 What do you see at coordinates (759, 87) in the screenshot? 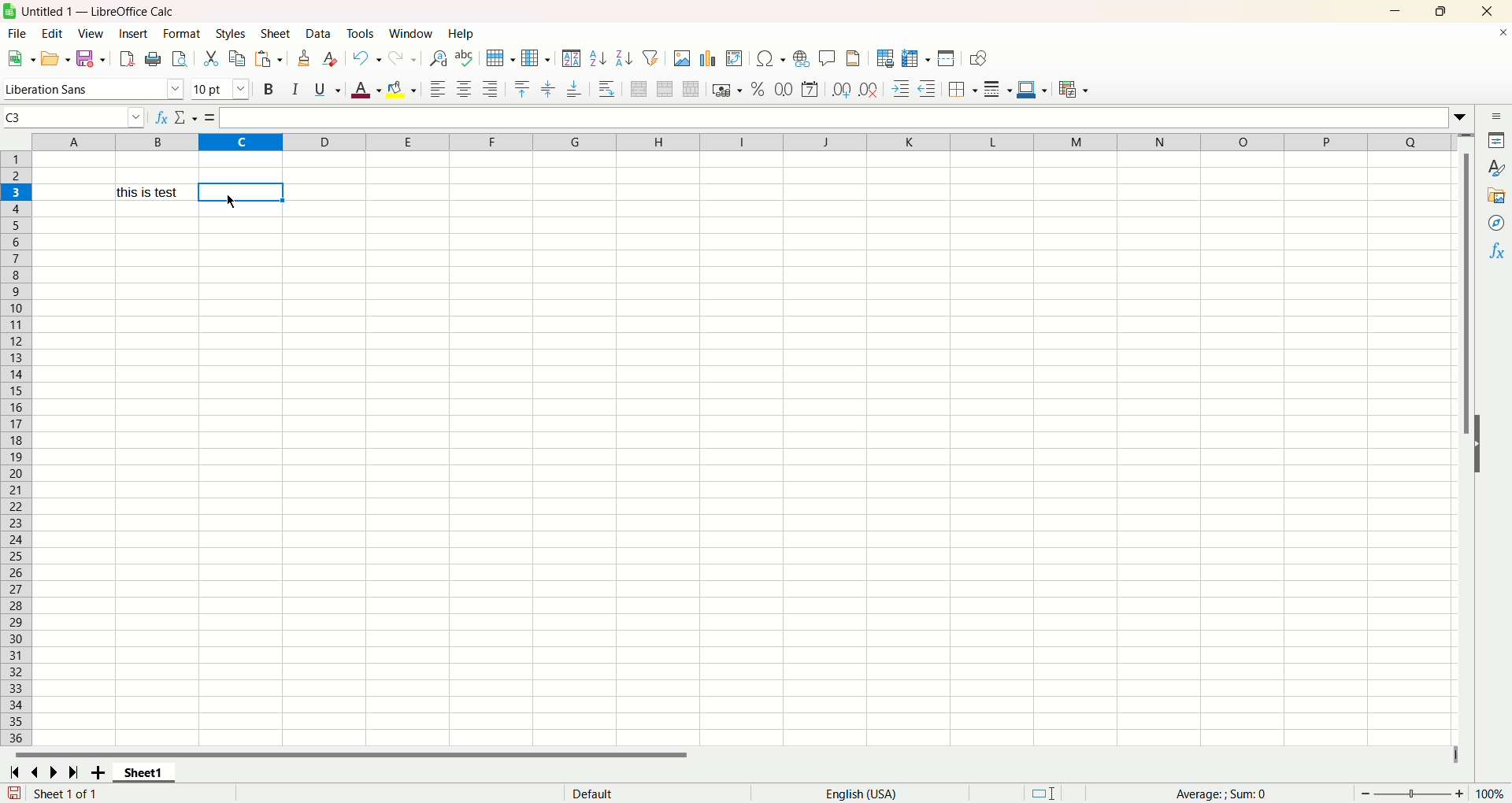
I see `format as percent` at bounding box center [759, 87].